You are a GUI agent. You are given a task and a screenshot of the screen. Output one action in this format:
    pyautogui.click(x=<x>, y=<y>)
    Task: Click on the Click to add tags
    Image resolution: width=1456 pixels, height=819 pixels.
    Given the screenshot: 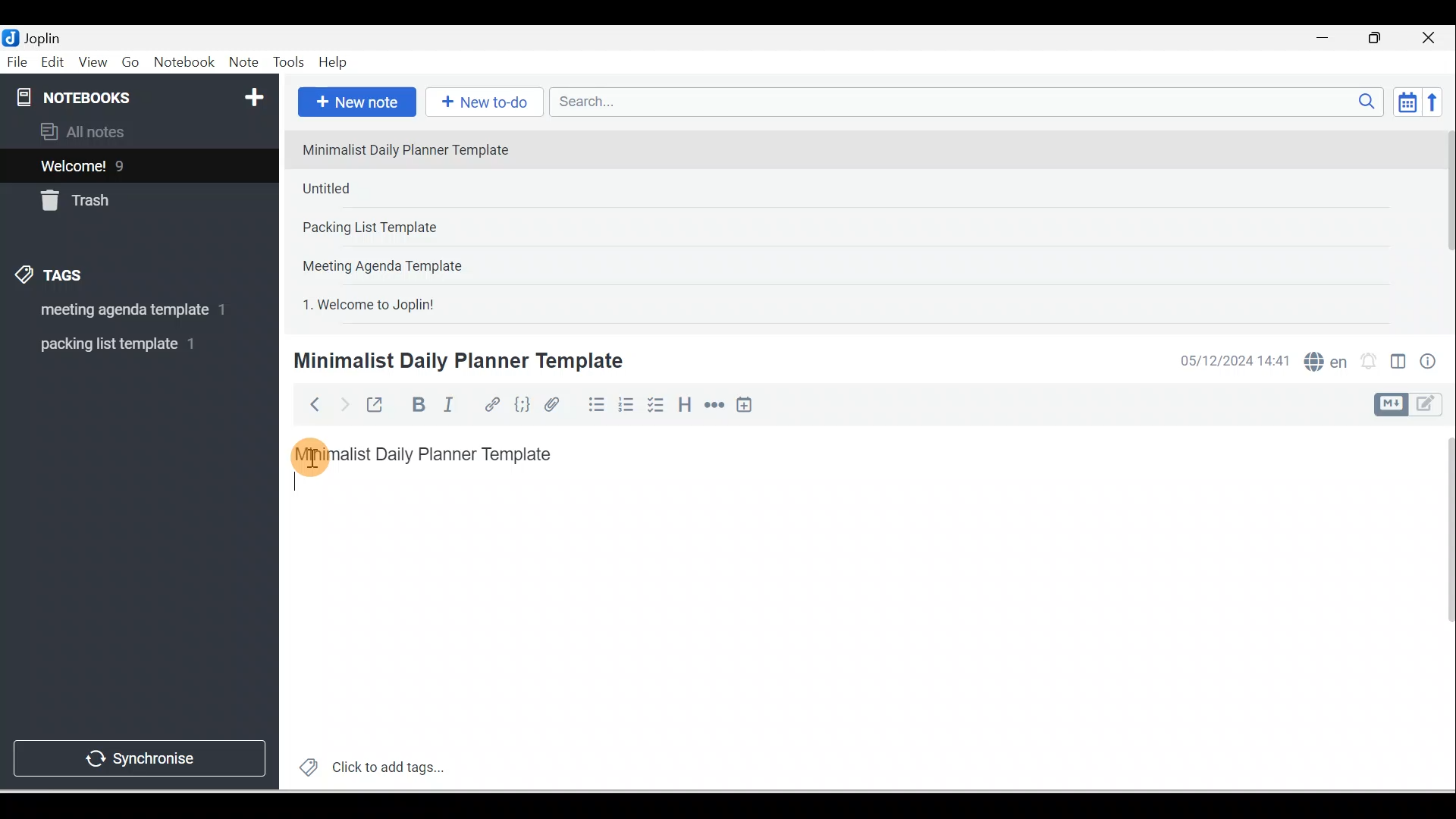 What is the action you would take?
    pyautogui.click(x=366, y=765)
    